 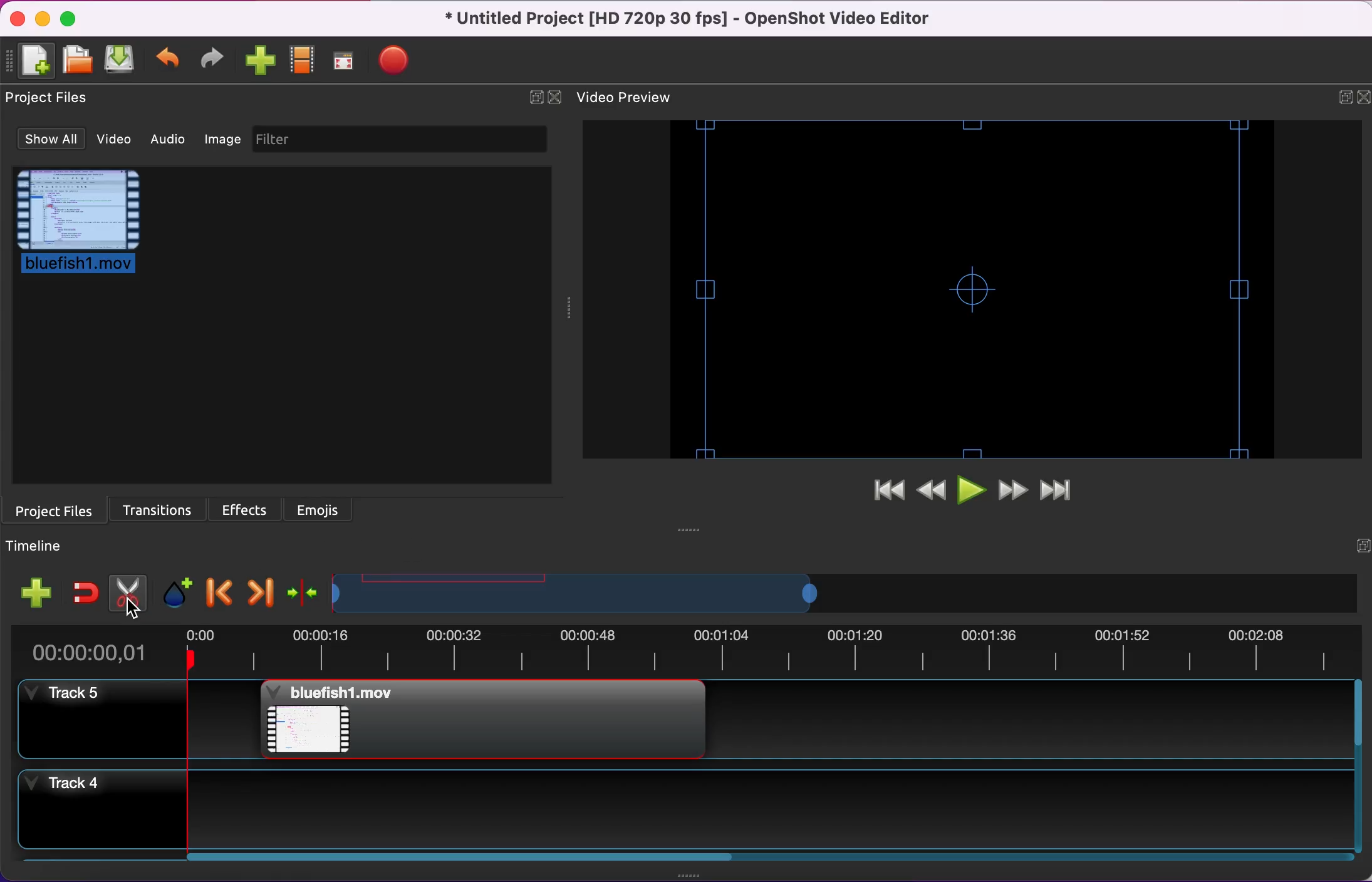 I want to click on redo, so click(x=216, y=61).